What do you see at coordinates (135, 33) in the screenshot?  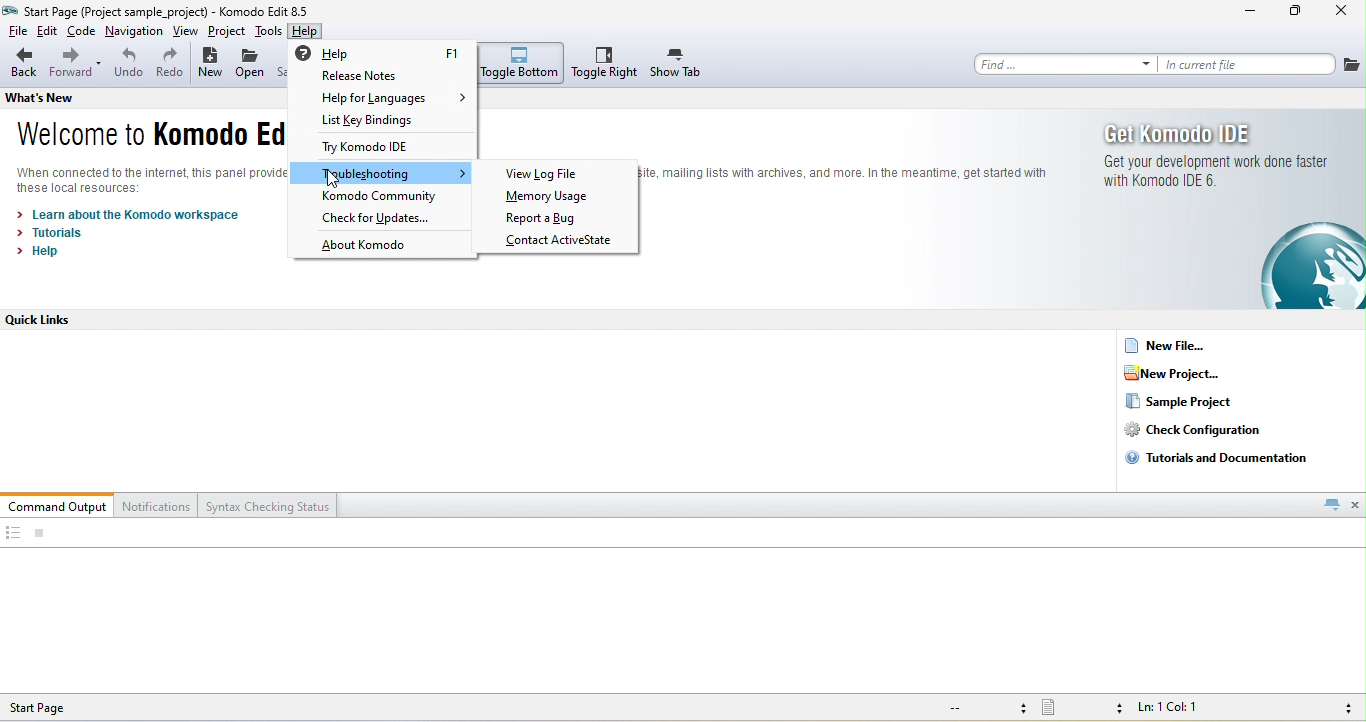 I see `navigation` at bounding box center [135, 33].